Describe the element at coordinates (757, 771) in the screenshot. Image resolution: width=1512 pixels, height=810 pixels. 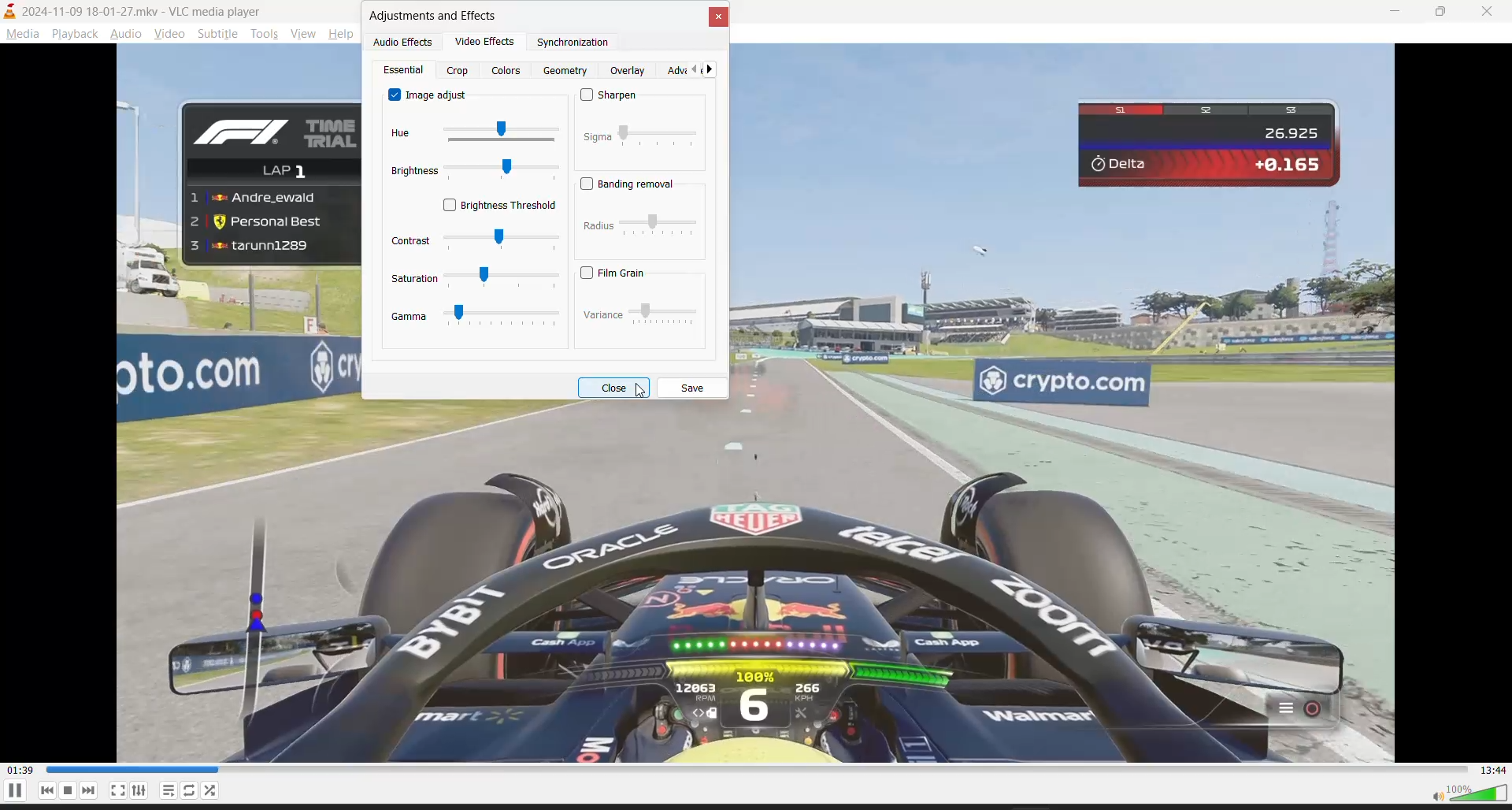
I see `track slider` at that location.